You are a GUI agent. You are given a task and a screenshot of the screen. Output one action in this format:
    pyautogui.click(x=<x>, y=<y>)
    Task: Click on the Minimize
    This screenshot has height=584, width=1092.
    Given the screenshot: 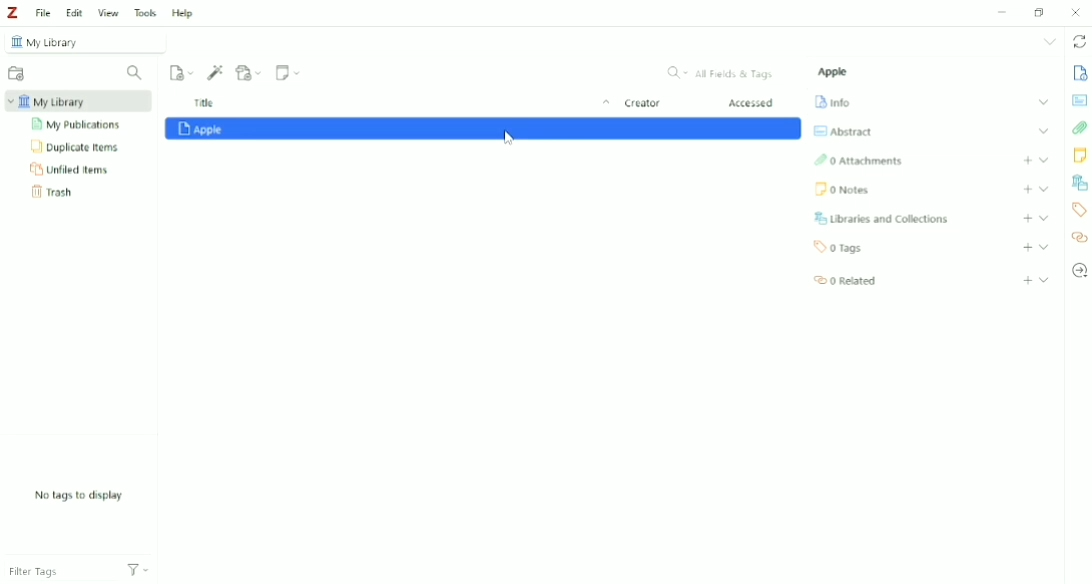 What is the action you would take?
    pyautogui.click(x=1004, y=11)
    